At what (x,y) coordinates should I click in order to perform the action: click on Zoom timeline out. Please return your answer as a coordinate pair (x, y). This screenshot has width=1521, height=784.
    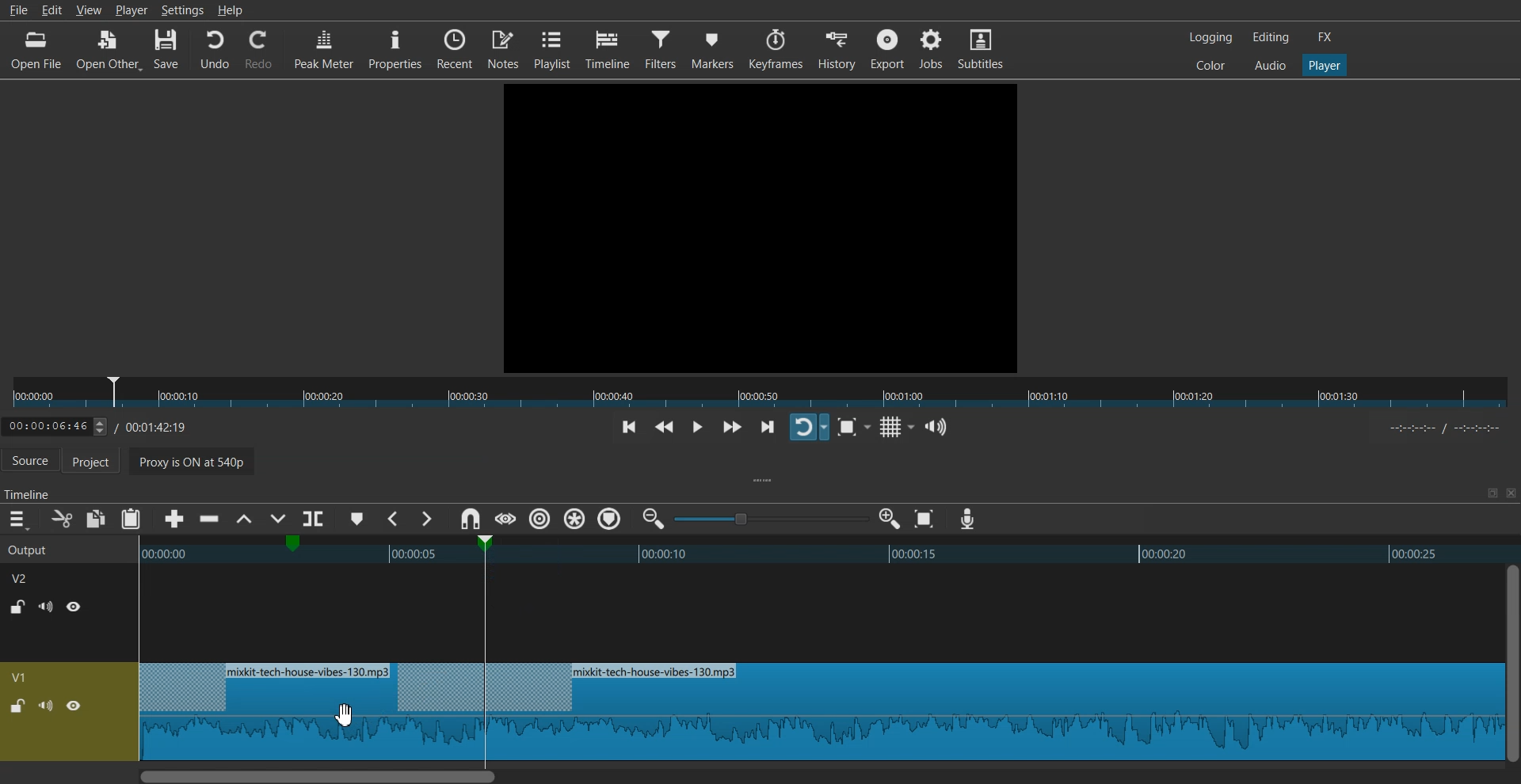
    Looking at the image, I should click on (654, 518).